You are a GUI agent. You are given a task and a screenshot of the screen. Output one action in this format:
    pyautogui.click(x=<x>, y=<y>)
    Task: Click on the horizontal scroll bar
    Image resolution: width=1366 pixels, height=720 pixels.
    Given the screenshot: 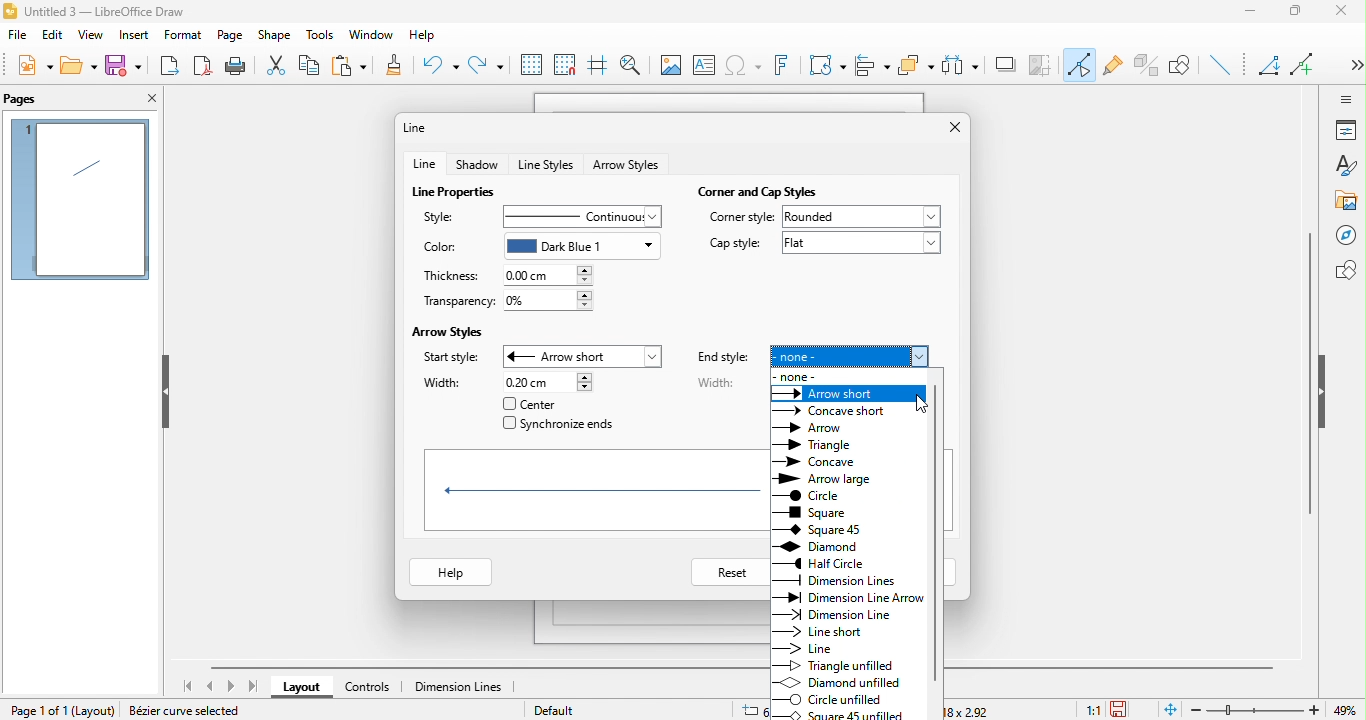 What is the action you would take?
    pyautogui.click(x=485, y=666)
    